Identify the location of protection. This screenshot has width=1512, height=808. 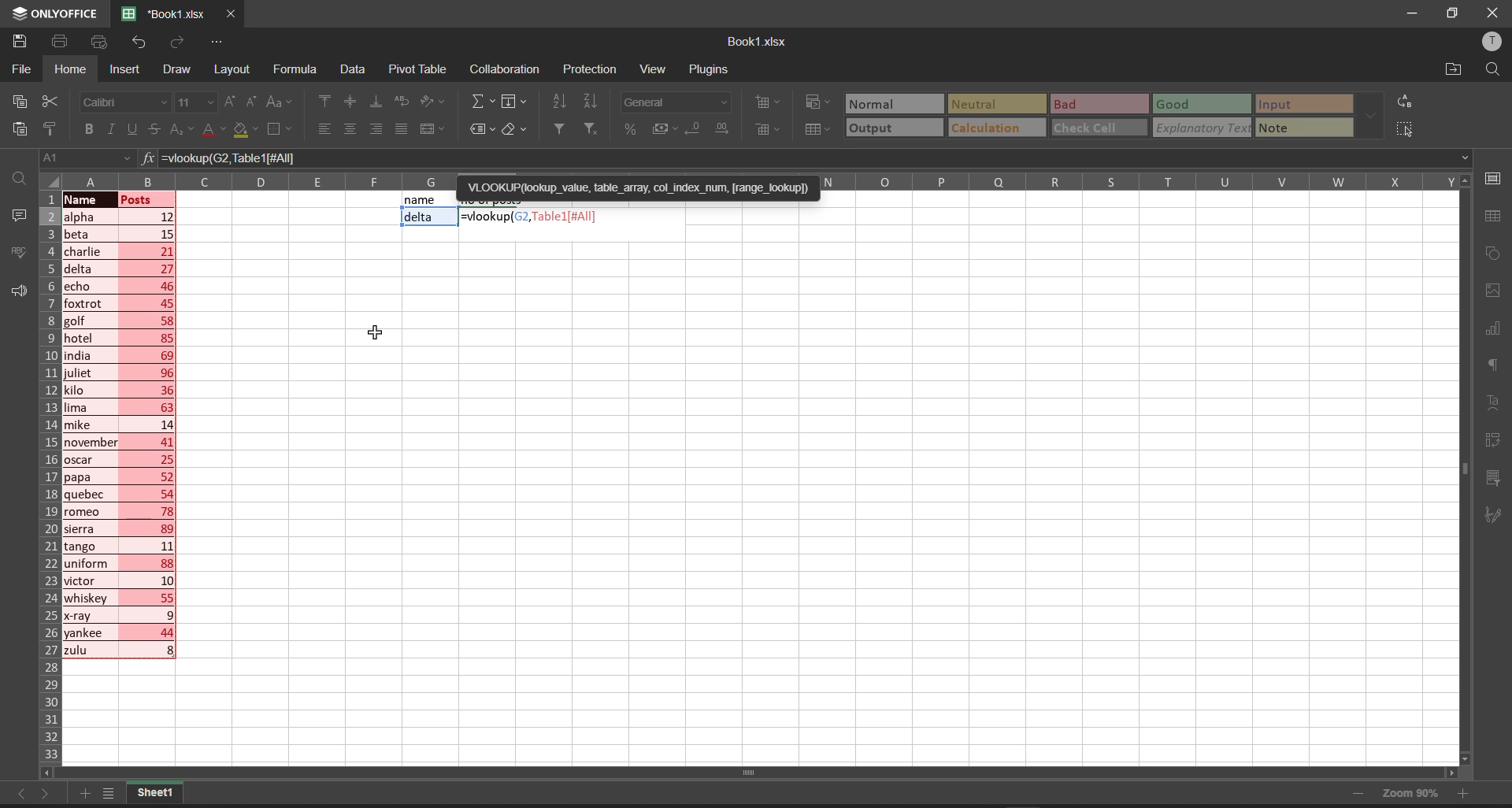
(594, 69).